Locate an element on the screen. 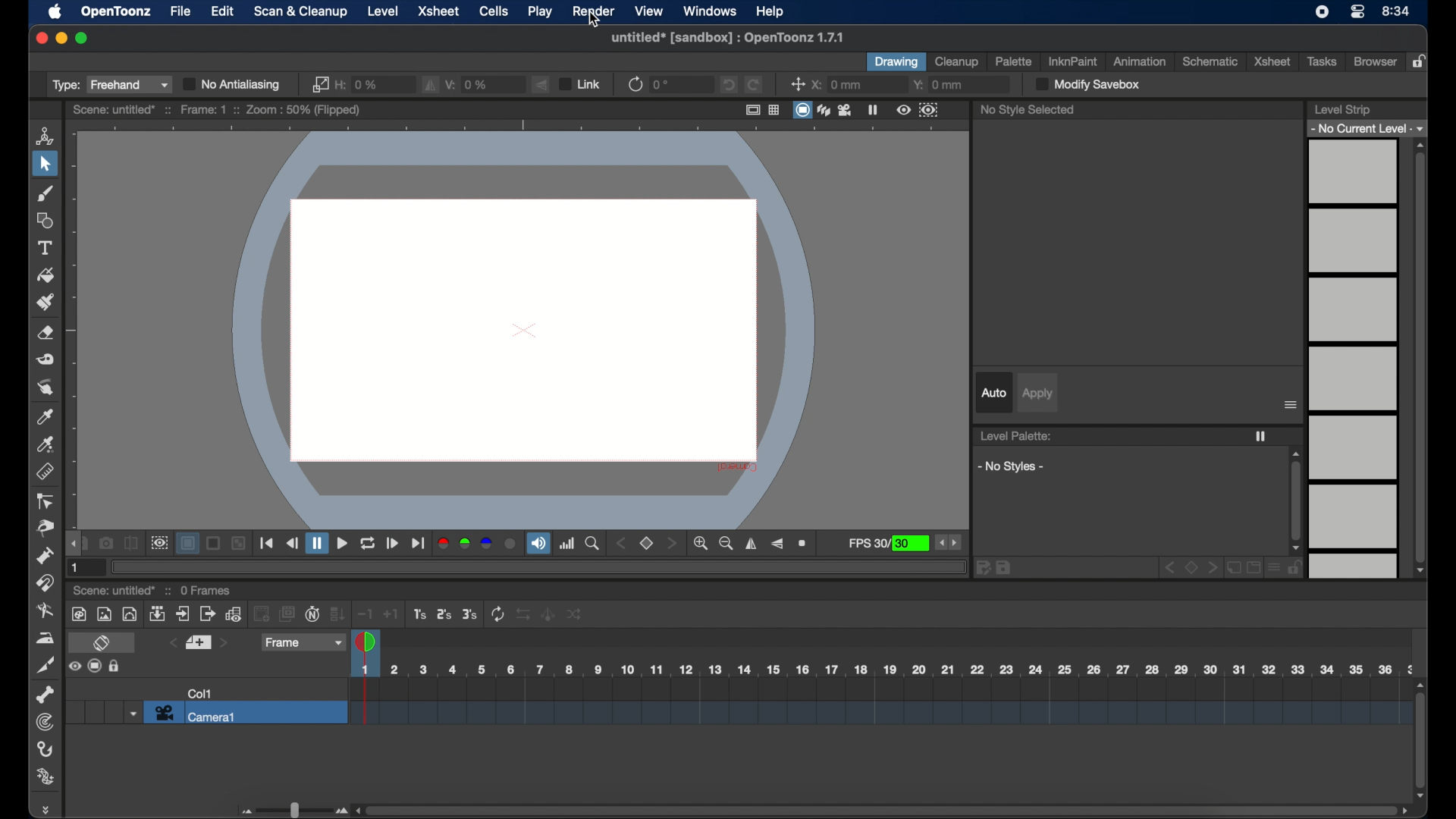  frame is located at coordinates (301, 642).